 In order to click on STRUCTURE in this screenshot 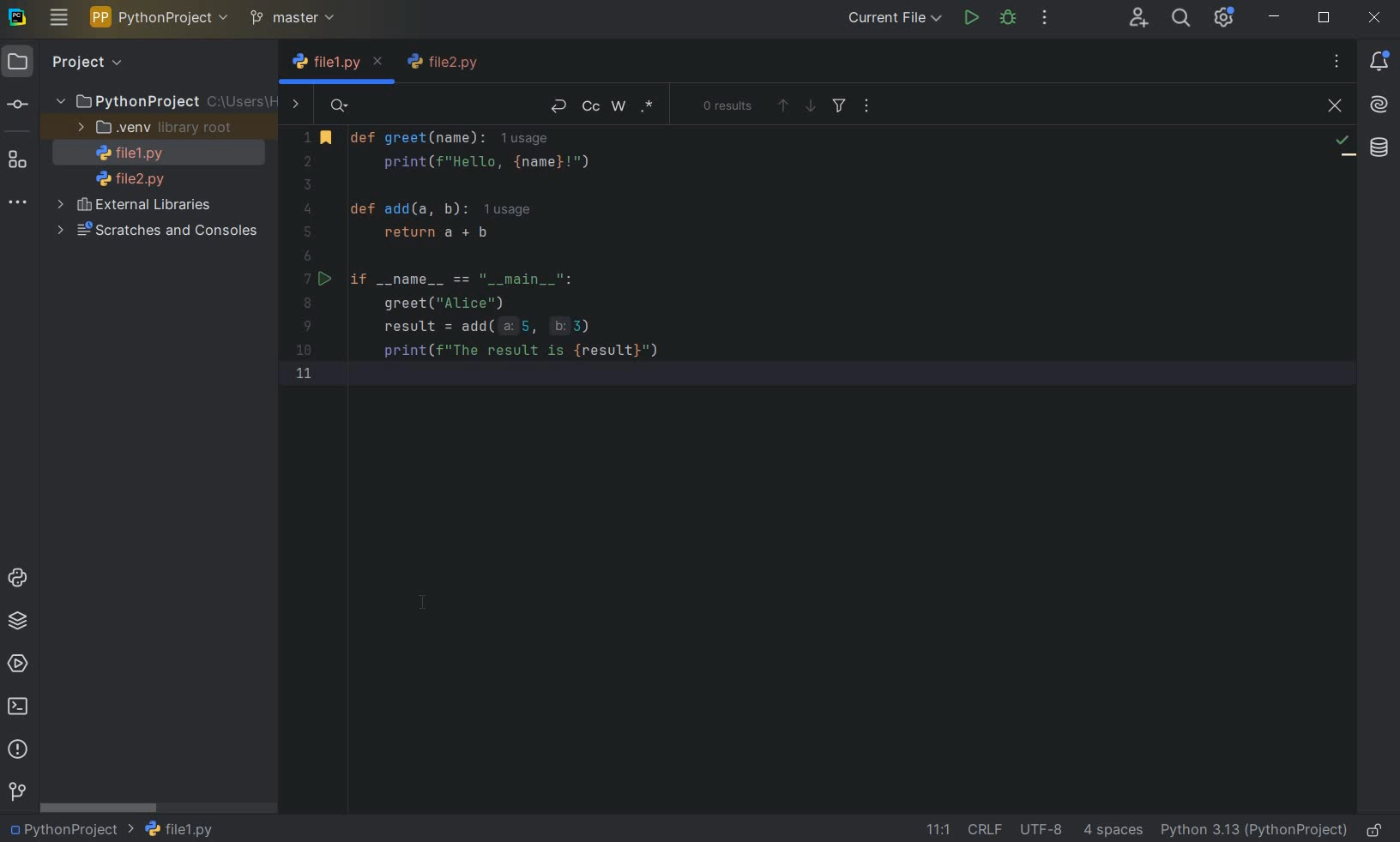, I will do `click(19, 161)`.